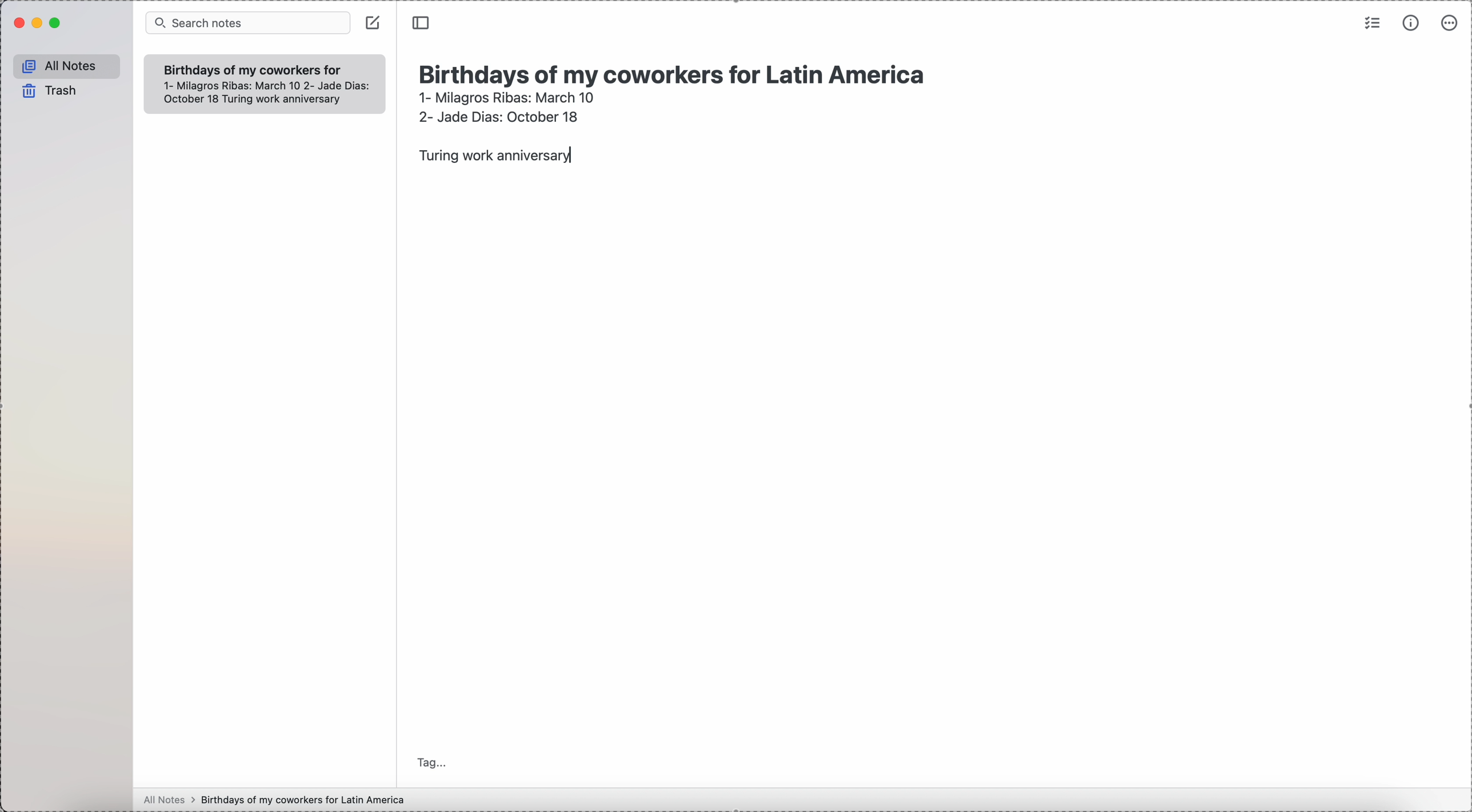  Describe the element at coordinates (18, 23) in the screenshot. I see `close Simplenote` at that location.